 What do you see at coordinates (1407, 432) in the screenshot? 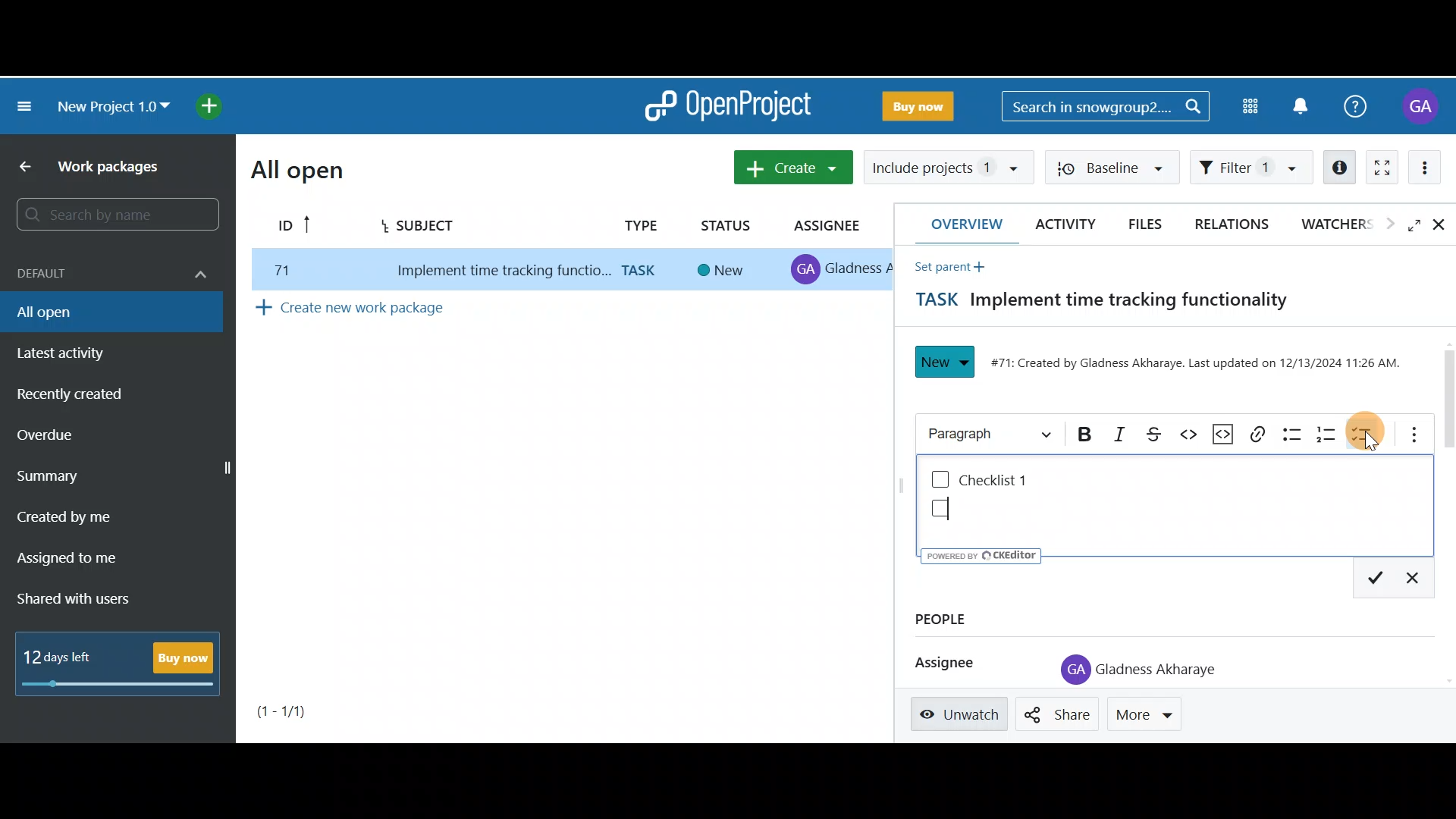
I see `More options` at bounding box center [1407, 432].